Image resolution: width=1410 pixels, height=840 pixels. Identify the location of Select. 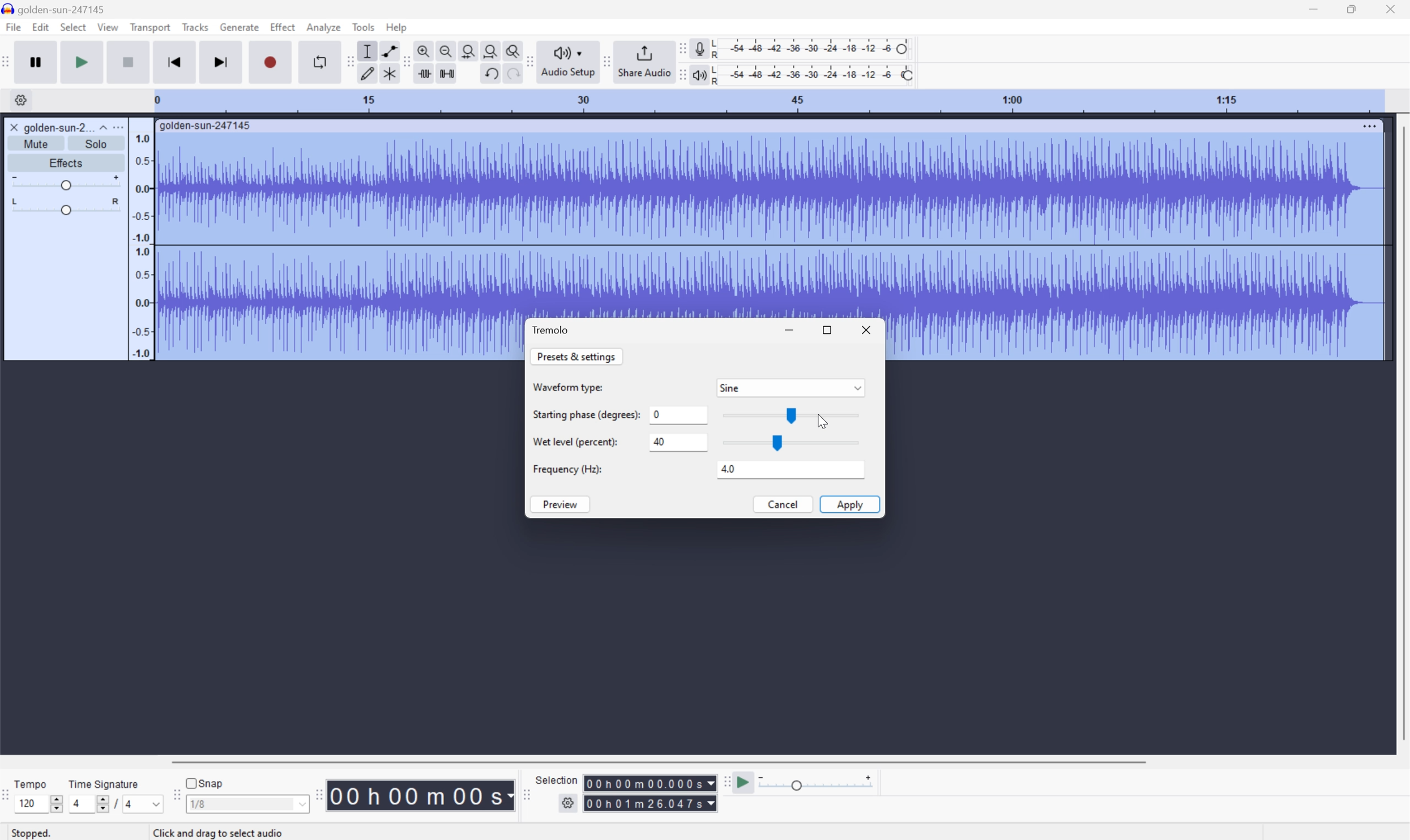
(73, 26).